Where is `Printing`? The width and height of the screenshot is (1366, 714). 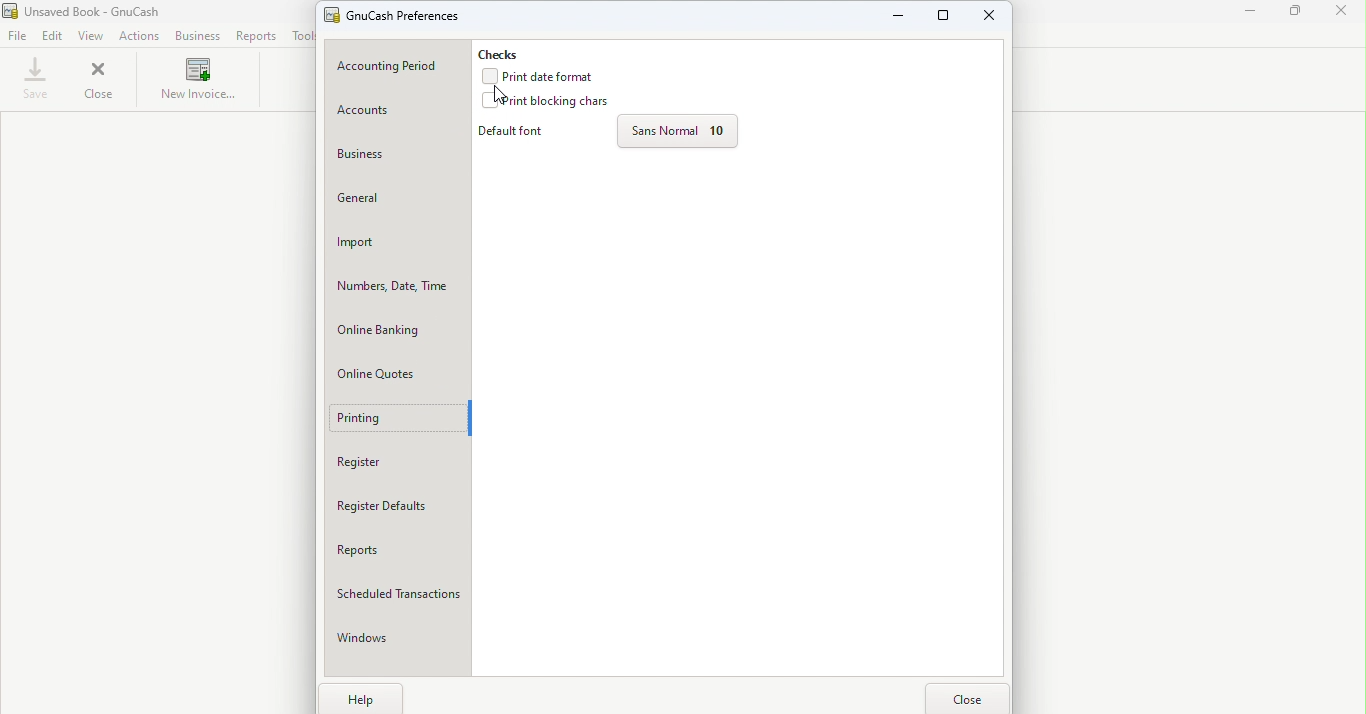
Printing is located at coordinates (395, 418).